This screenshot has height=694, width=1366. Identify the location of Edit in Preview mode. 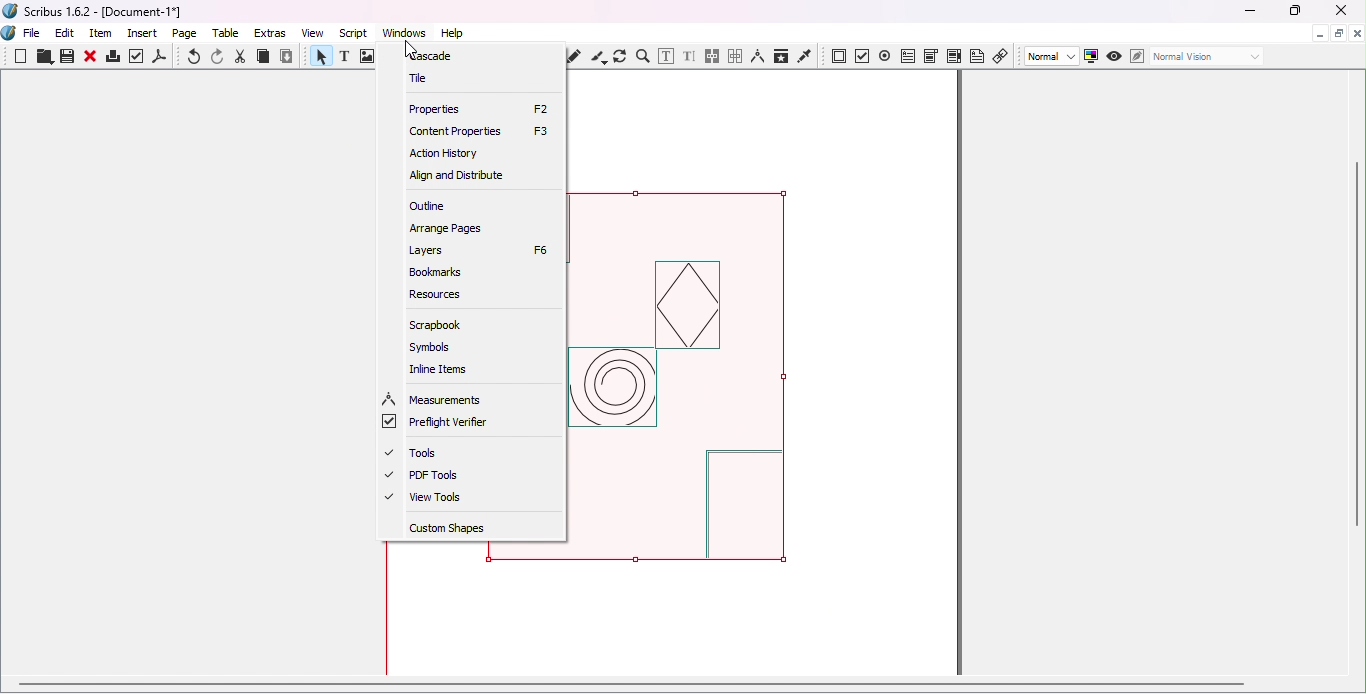
(1136, 55).